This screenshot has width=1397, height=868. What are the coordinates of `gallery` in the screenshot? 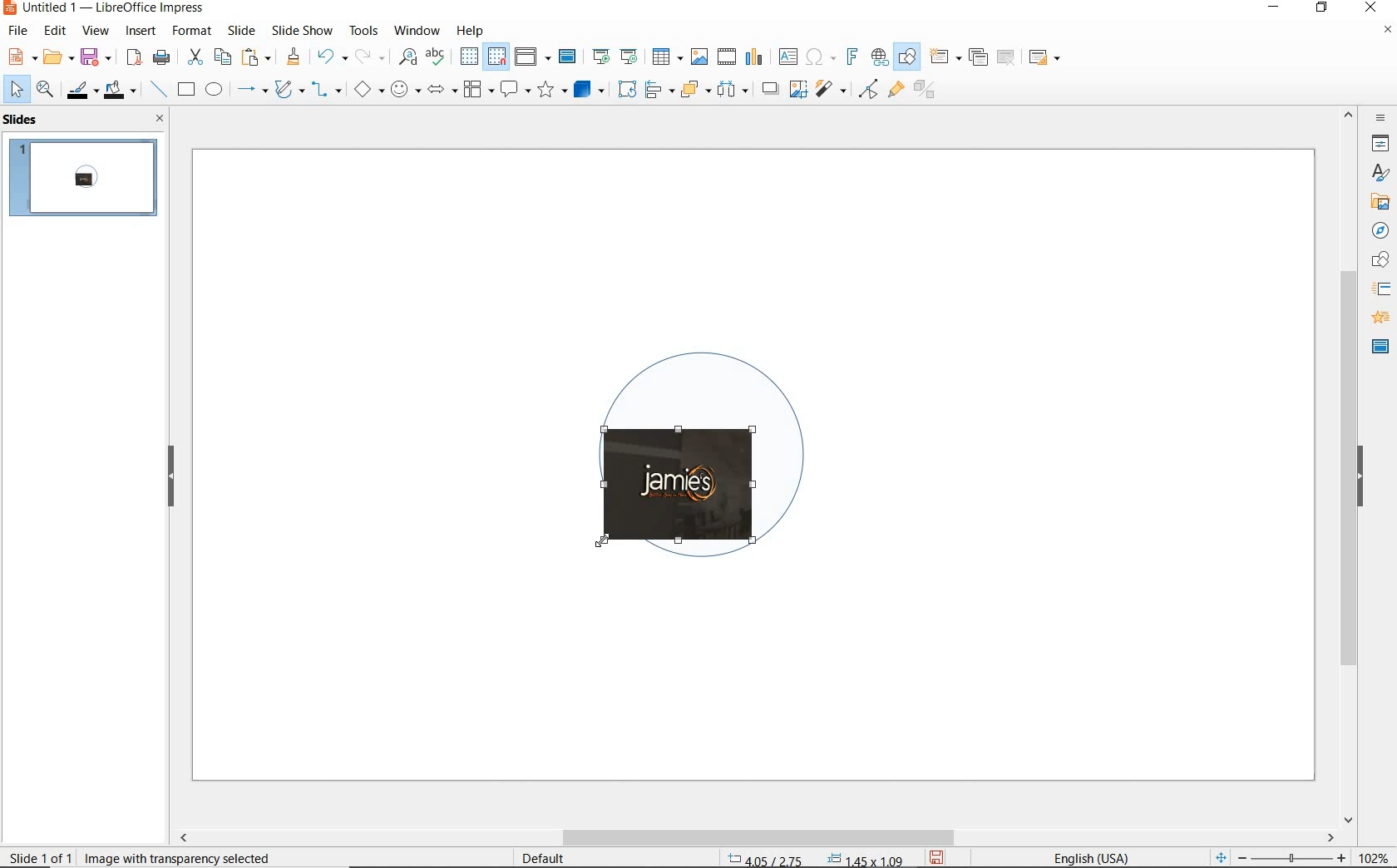 It's located at (1377, 201).